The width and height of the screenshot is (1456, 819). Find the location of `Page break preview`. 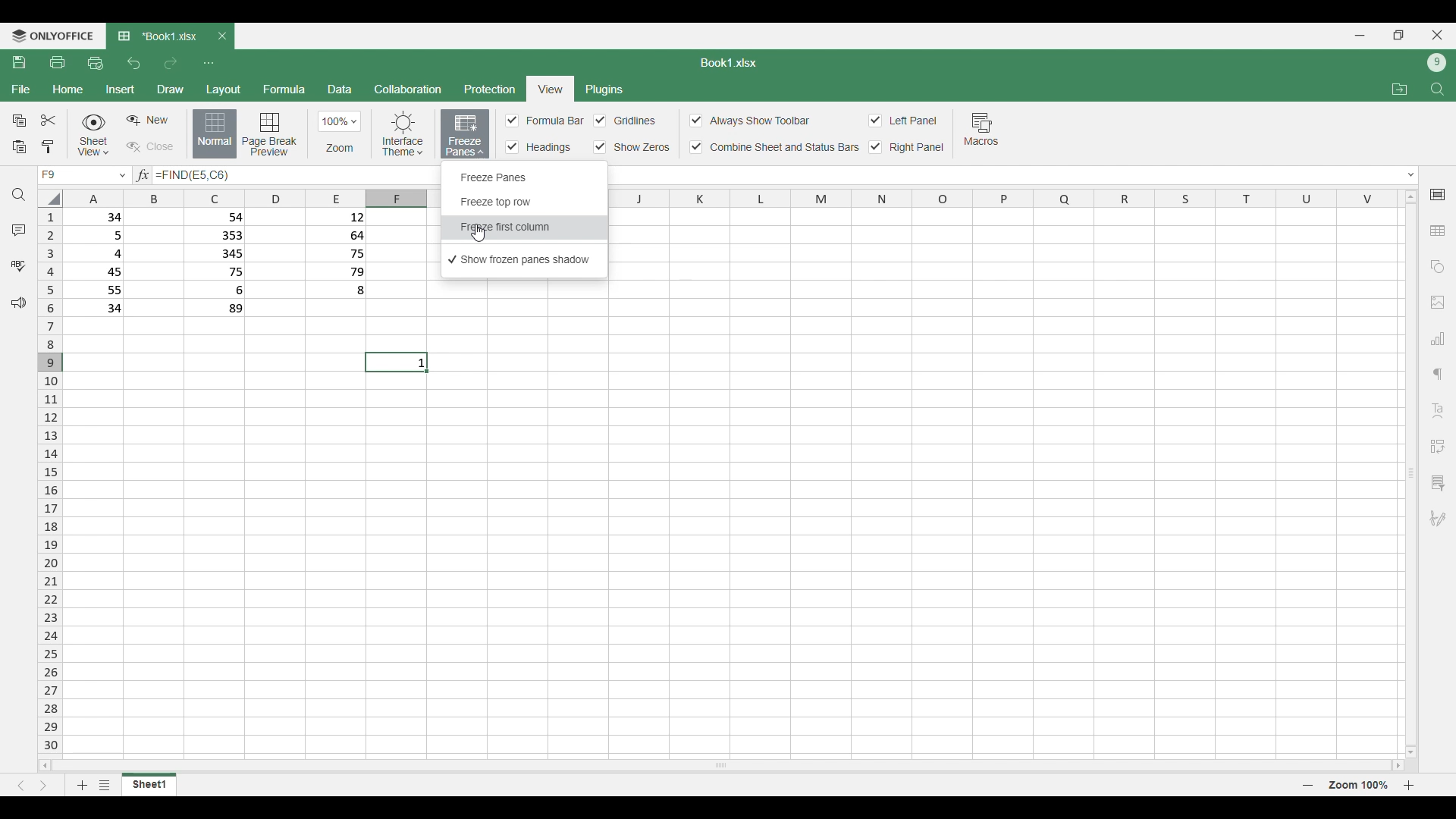

Page break preview is located at coordinates (270, 135).